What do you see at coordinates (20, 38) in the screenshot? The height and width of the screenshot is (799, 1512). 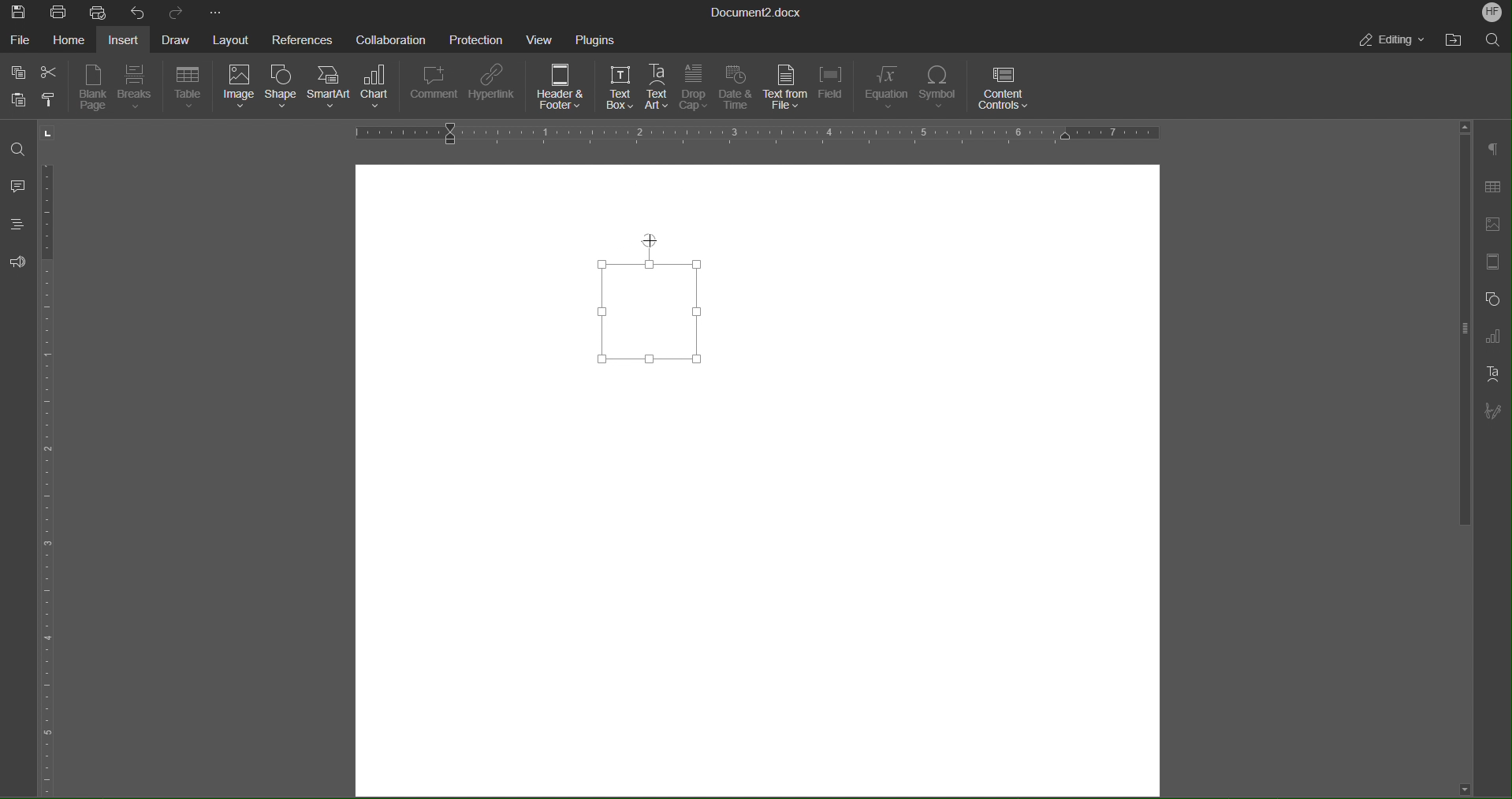 I see `File` at bounding box center [20, 38].